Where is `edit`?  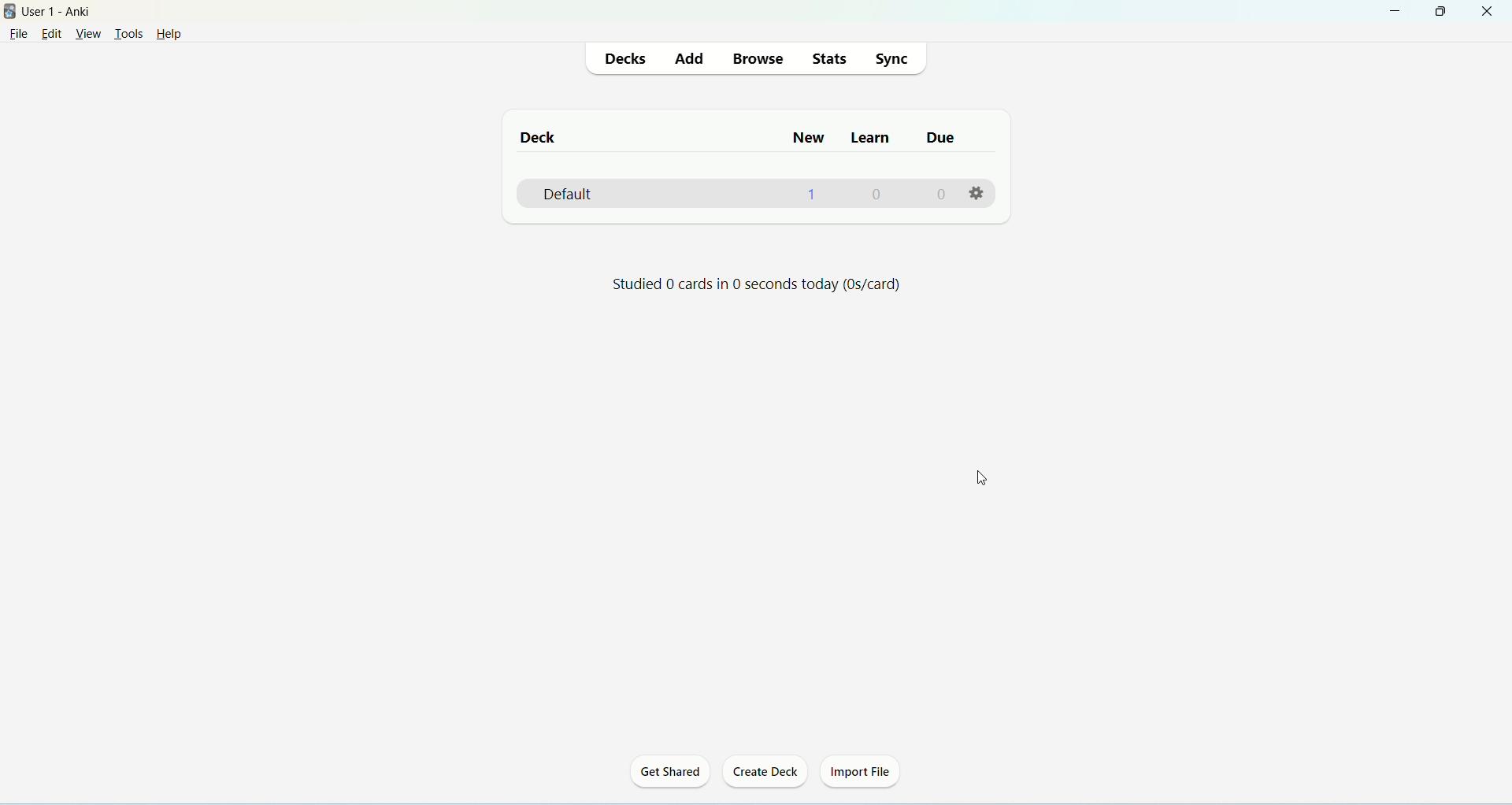 edit is located at coordinates (56, 35).